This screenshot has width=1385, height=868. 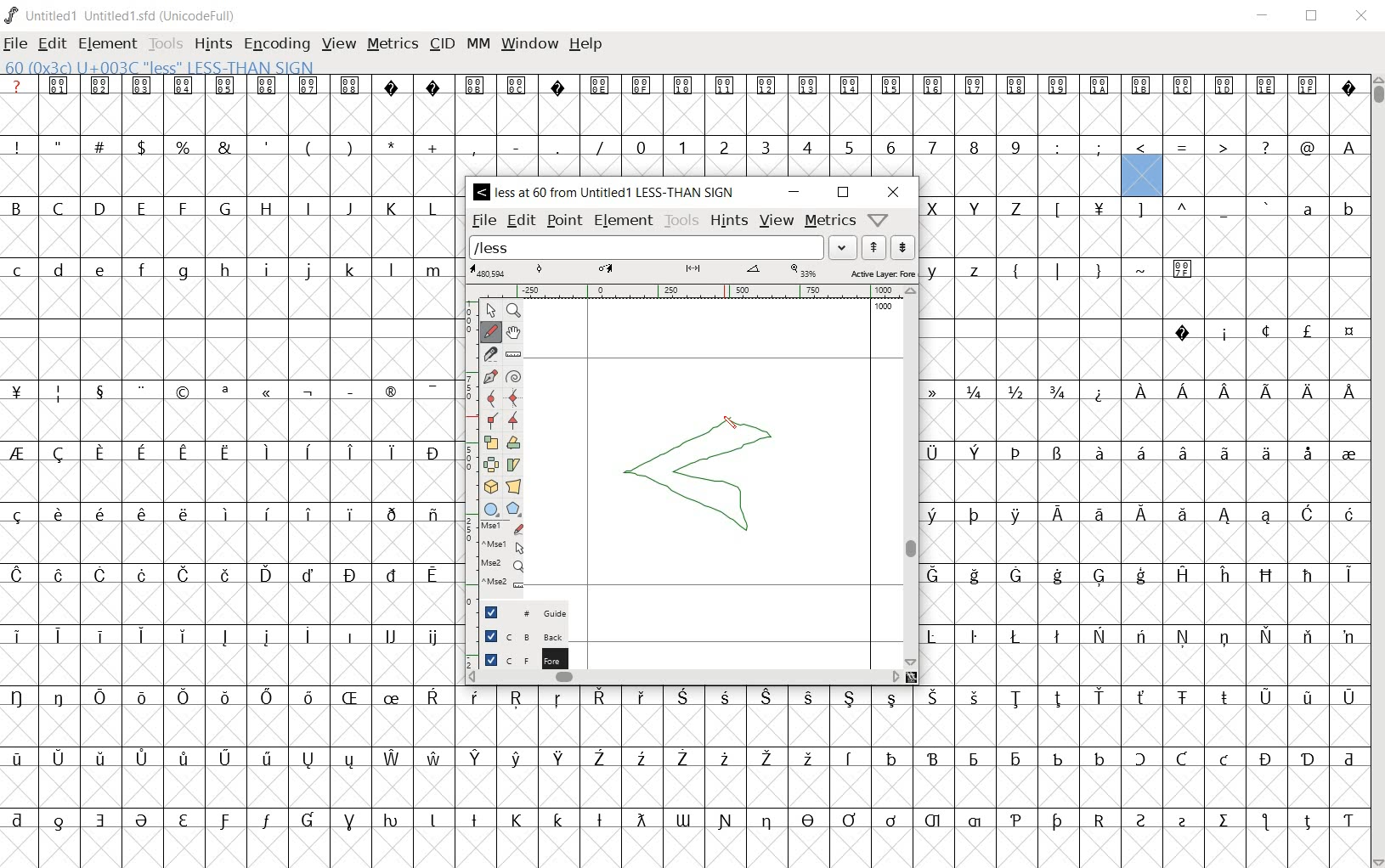 What do you see at coordinates (1002, 389) in the screenshot?
I see `fractions ` at bounding box center [1002, 389].